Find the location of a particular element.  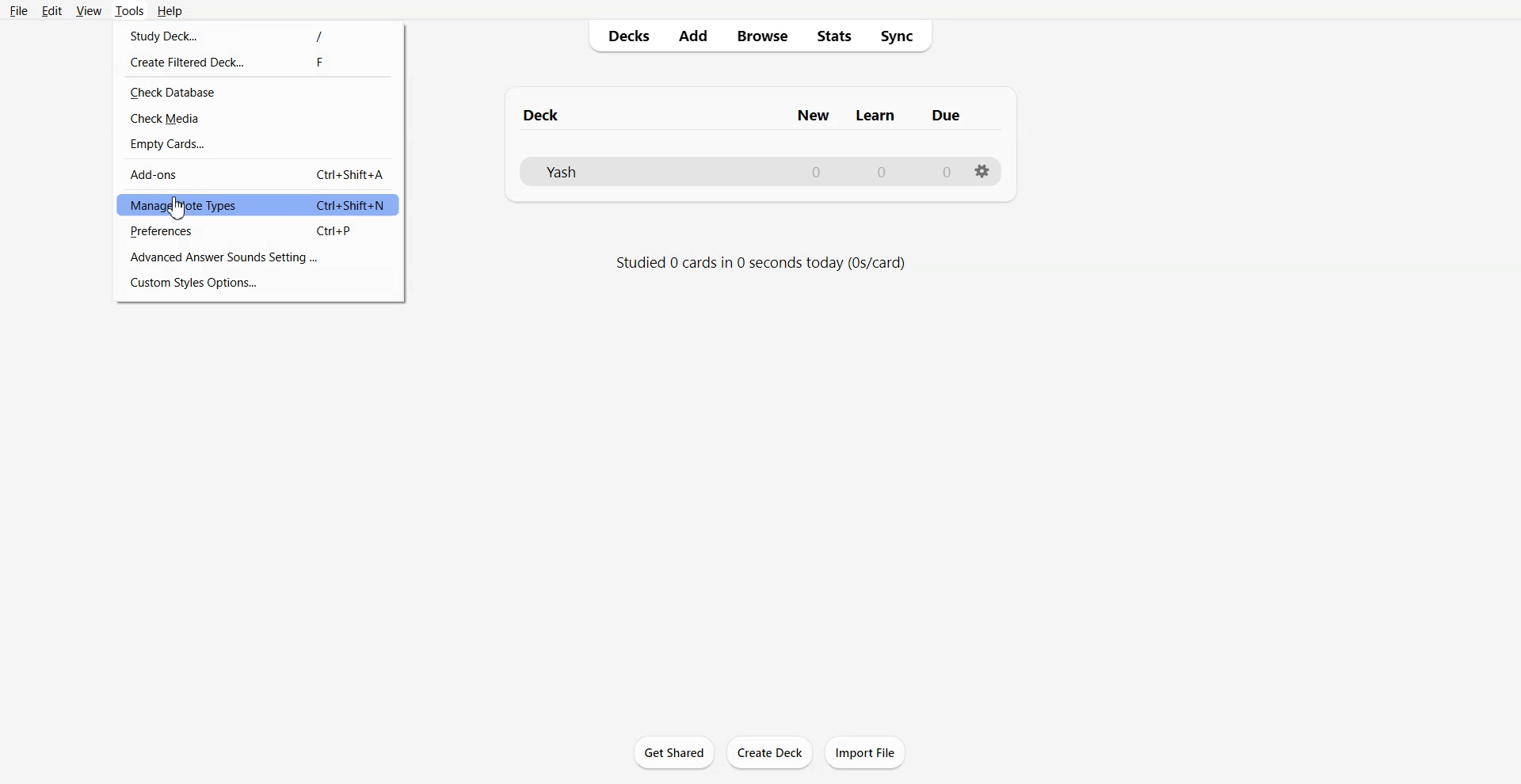

View is located at coordinates (90, 10).